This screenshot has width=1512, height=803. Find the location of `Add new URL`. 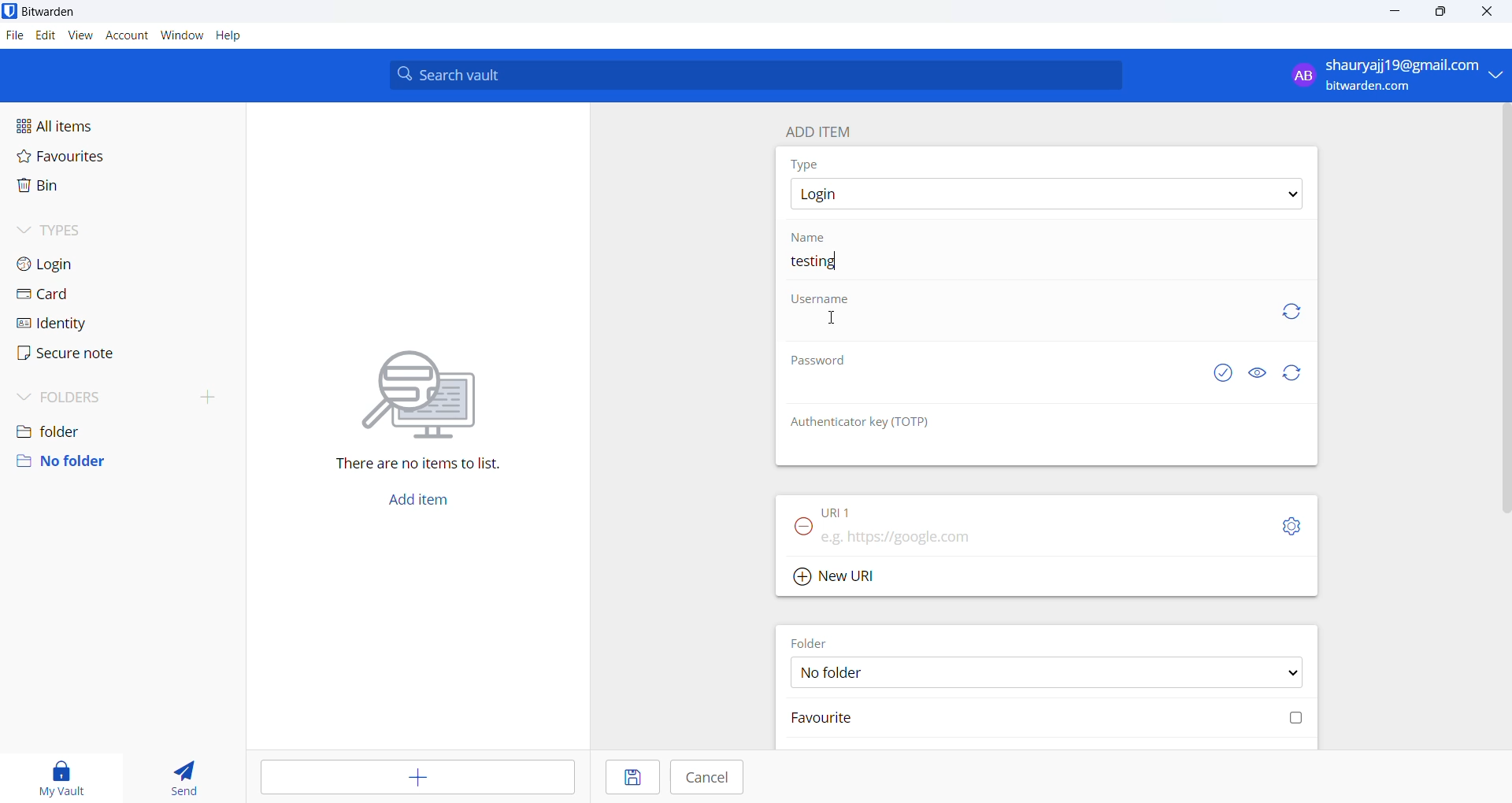

Add new URL is located at coordinates (839, 576).